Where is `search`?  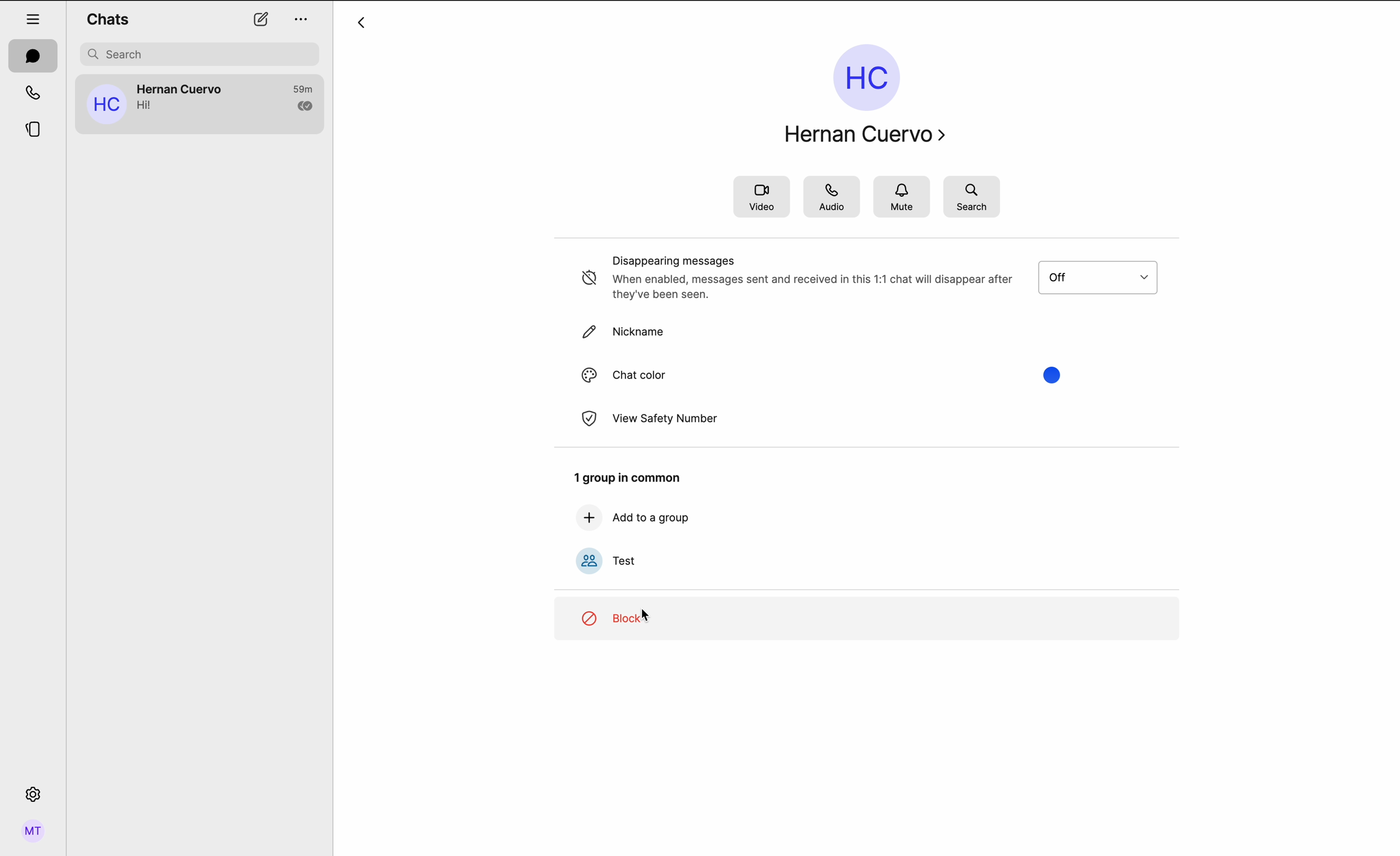
search is located at coordinates (972, 197).